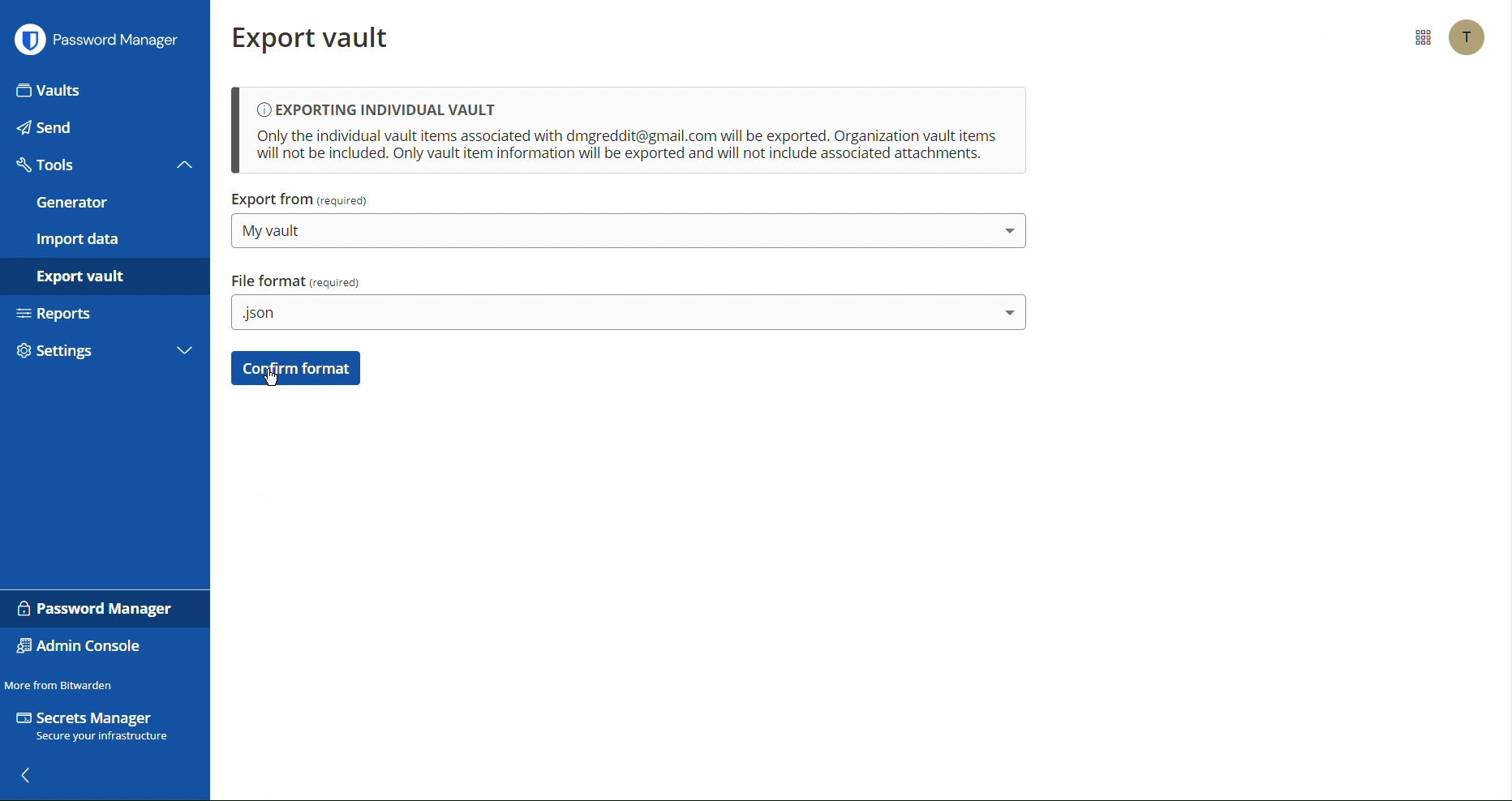 The width and height of the screenshot is (1512, 801). What do you see at coordinates (85, 647) in the screenshot?
I see `Admin Console` at bounding box center [85, 647].